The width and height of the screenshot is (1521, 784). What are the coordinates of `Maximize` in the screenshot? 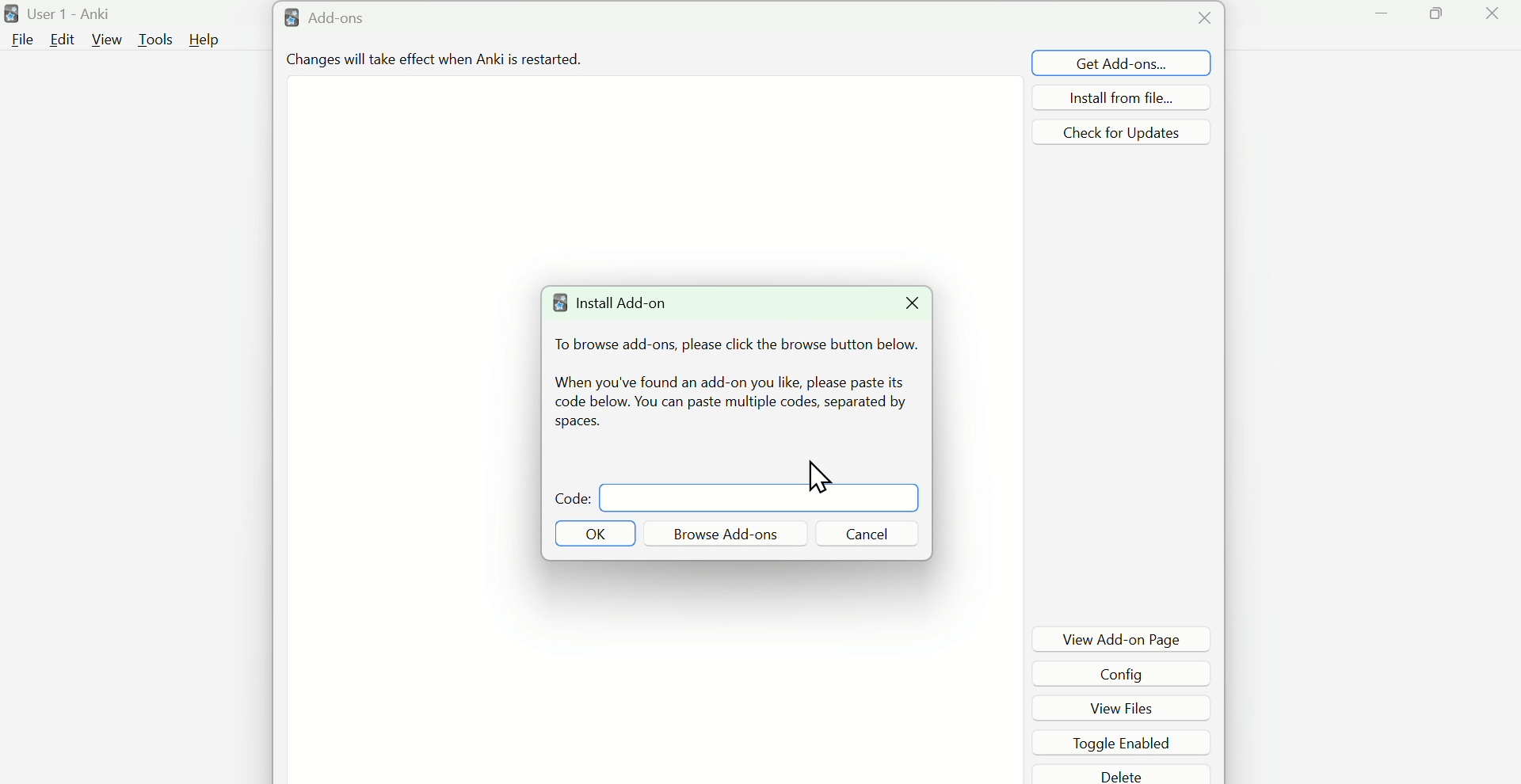 It's located at (1439, 17).